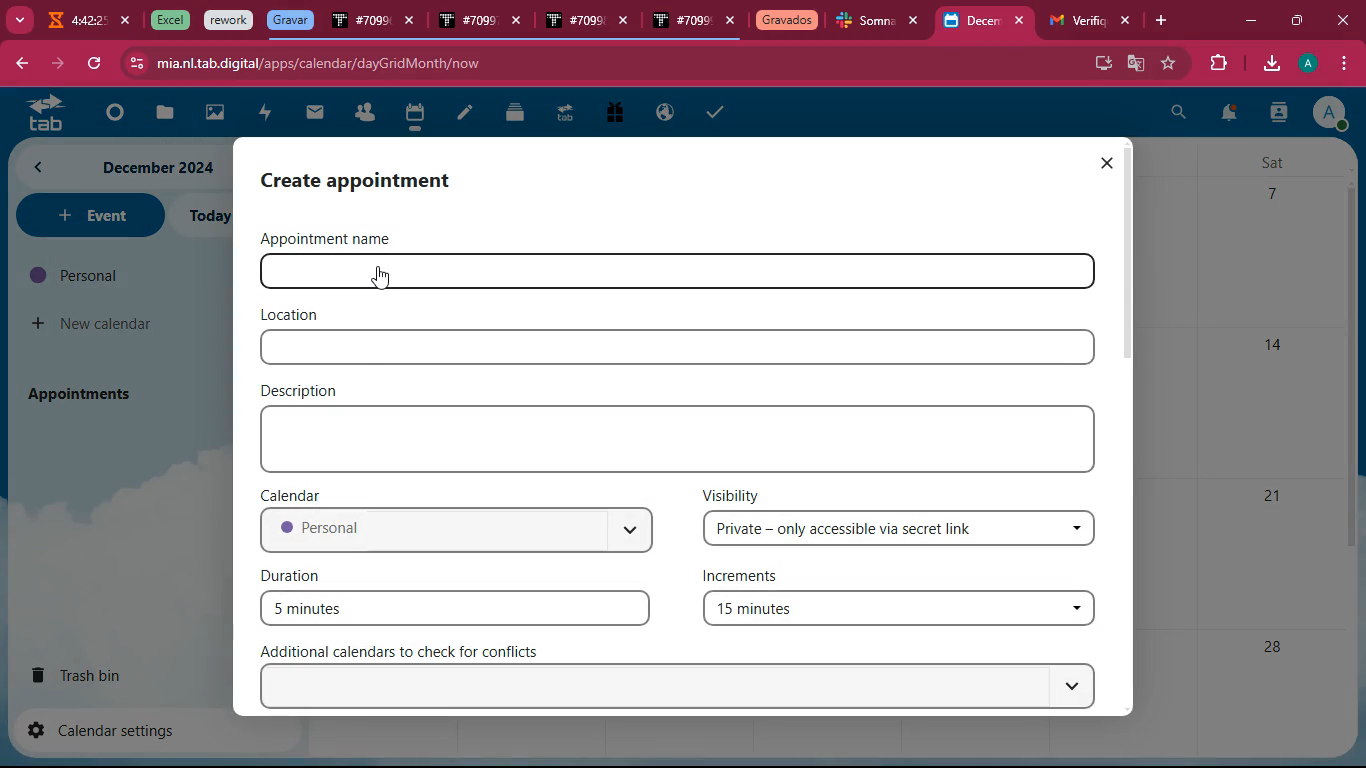  Describe the element at coordinates (377, 179) in the screenshot. I see `create appointment` at that location.